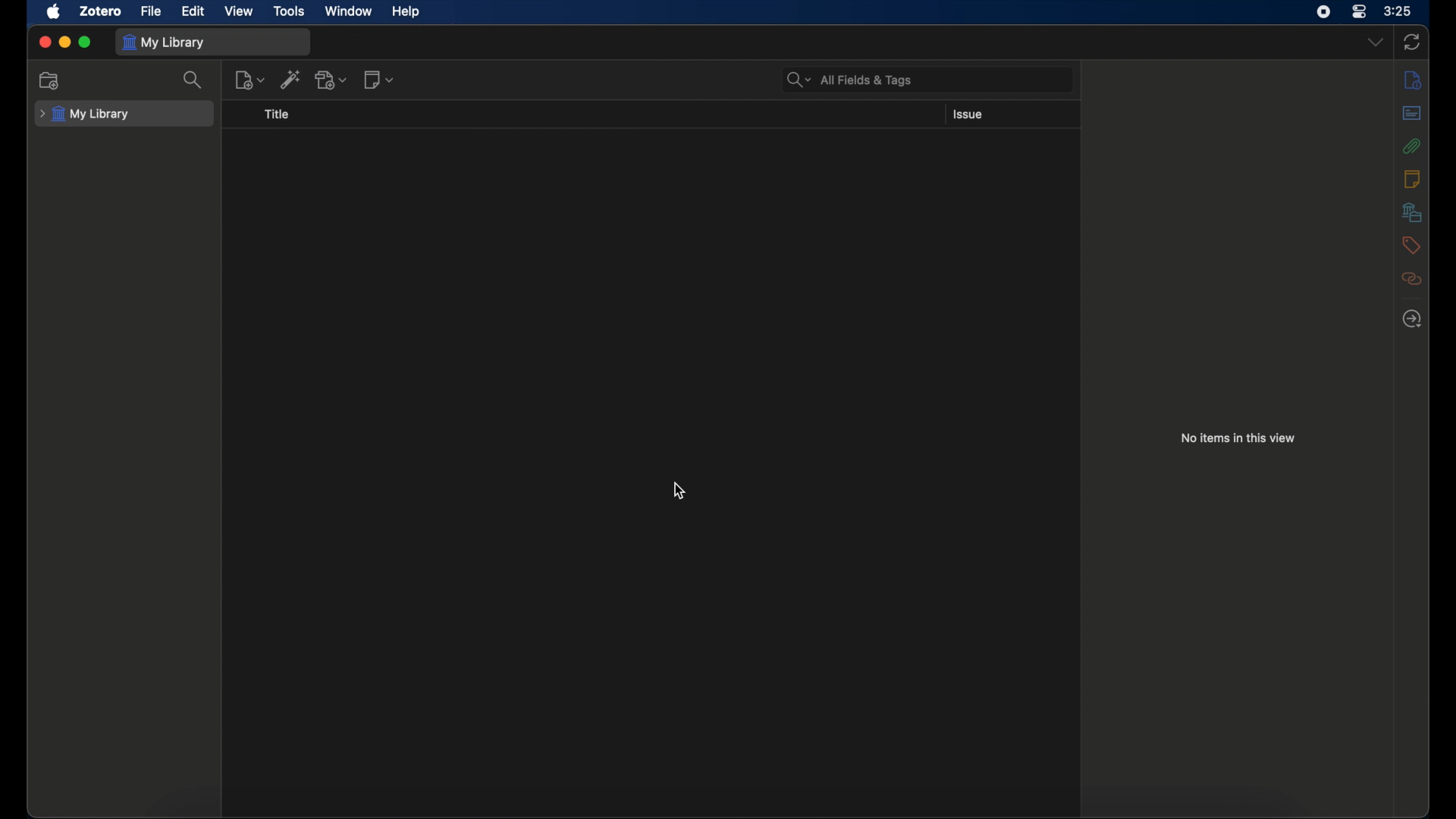 This screenshot has width=1456, height=819. I want to click on edit, so click(193, 11).